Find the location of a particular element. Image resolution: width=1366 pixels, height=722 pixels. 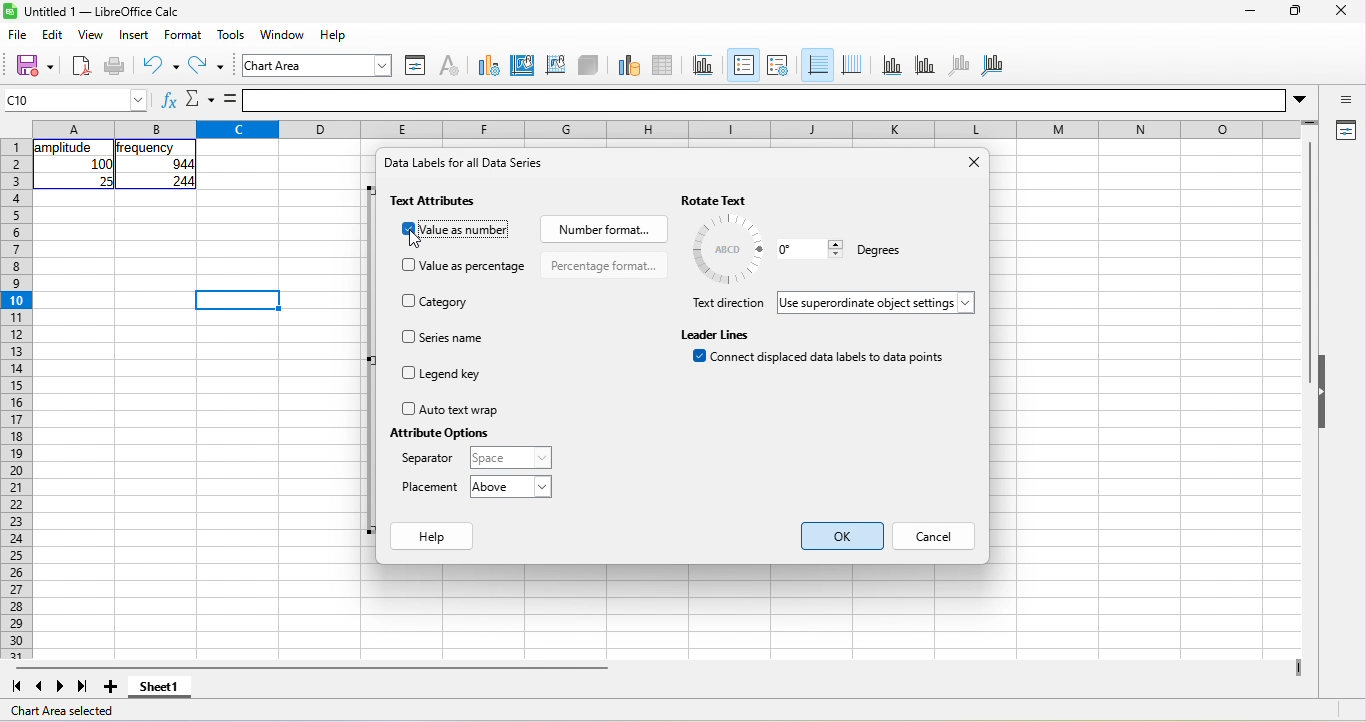

edit is located at coordinates (56, 34).